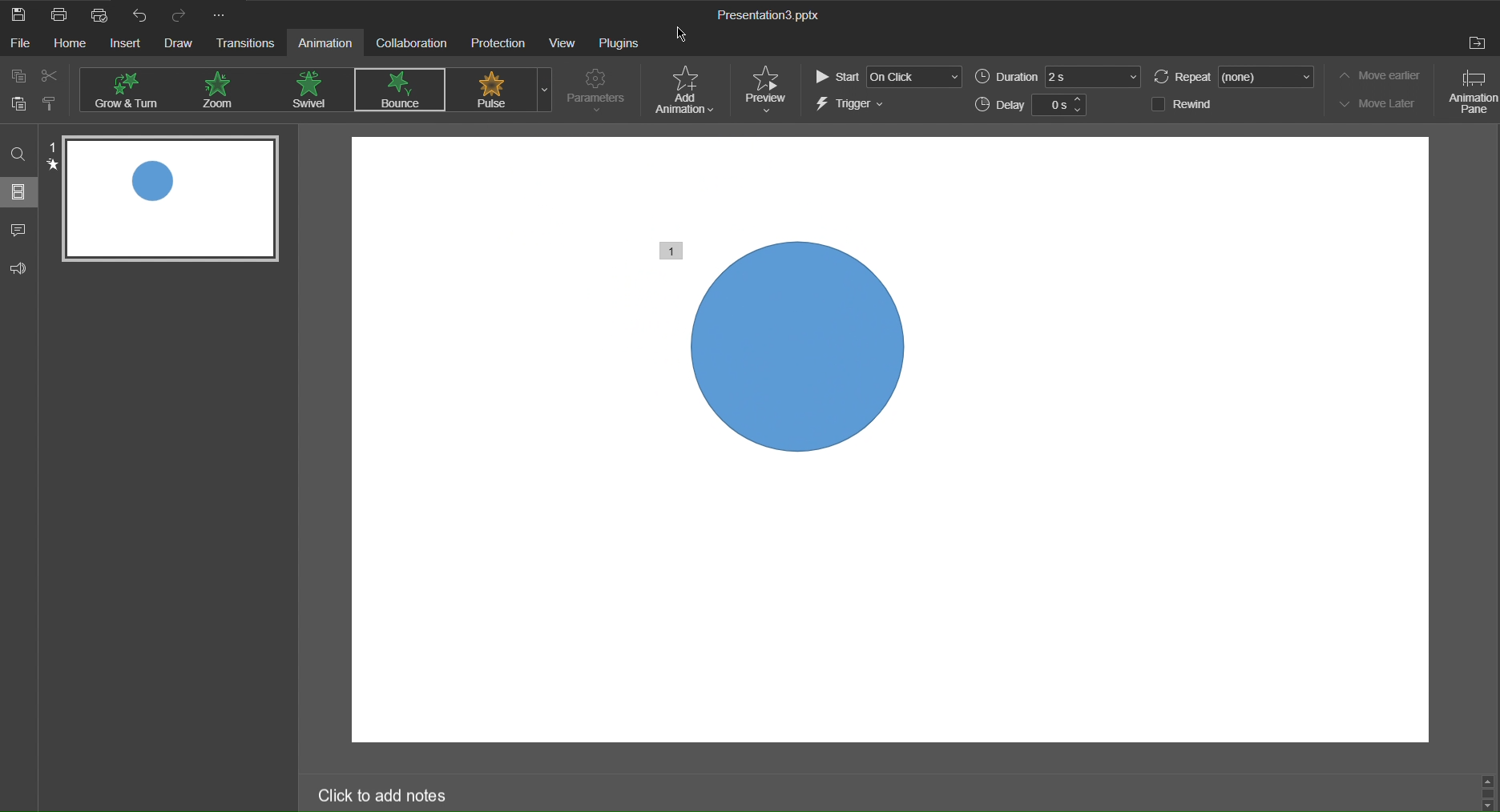  I want to click on Move earlier, so click(1384, 75).